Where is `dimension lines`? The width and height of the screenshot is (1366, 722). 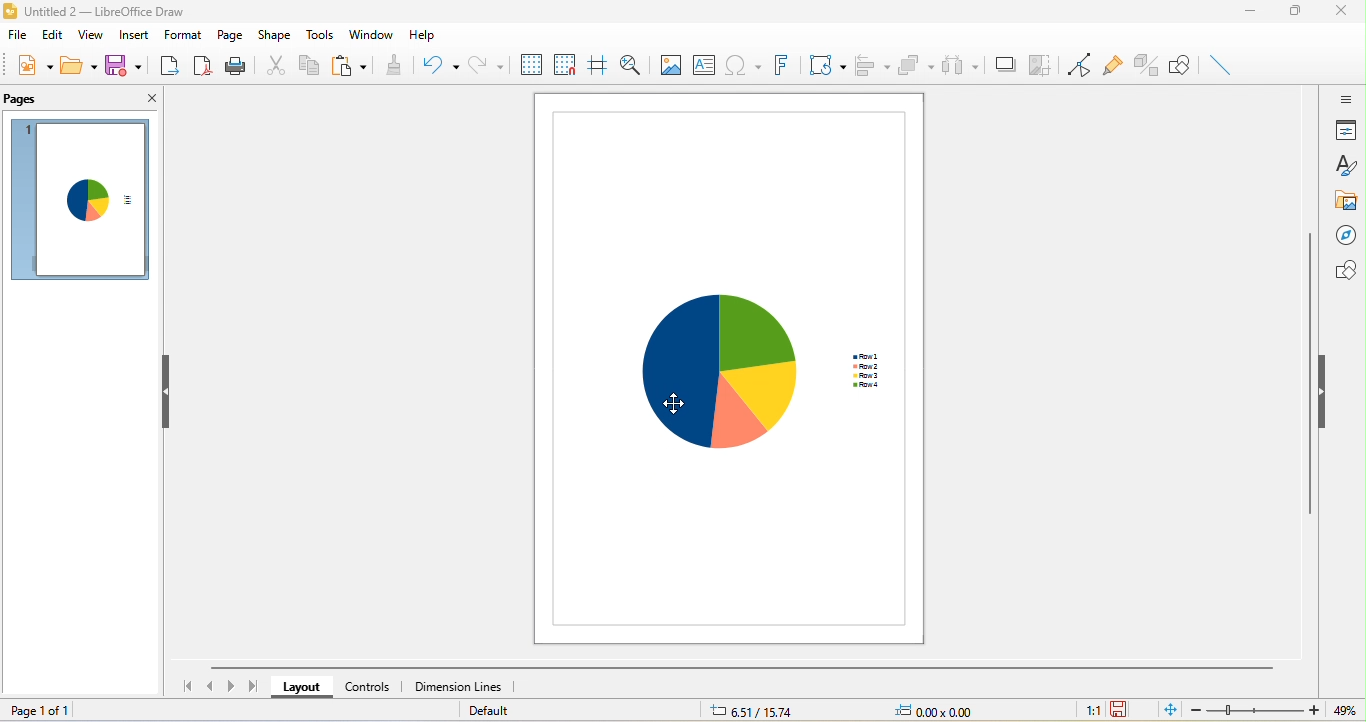 dimension lines is located at coordinates (462, 687).